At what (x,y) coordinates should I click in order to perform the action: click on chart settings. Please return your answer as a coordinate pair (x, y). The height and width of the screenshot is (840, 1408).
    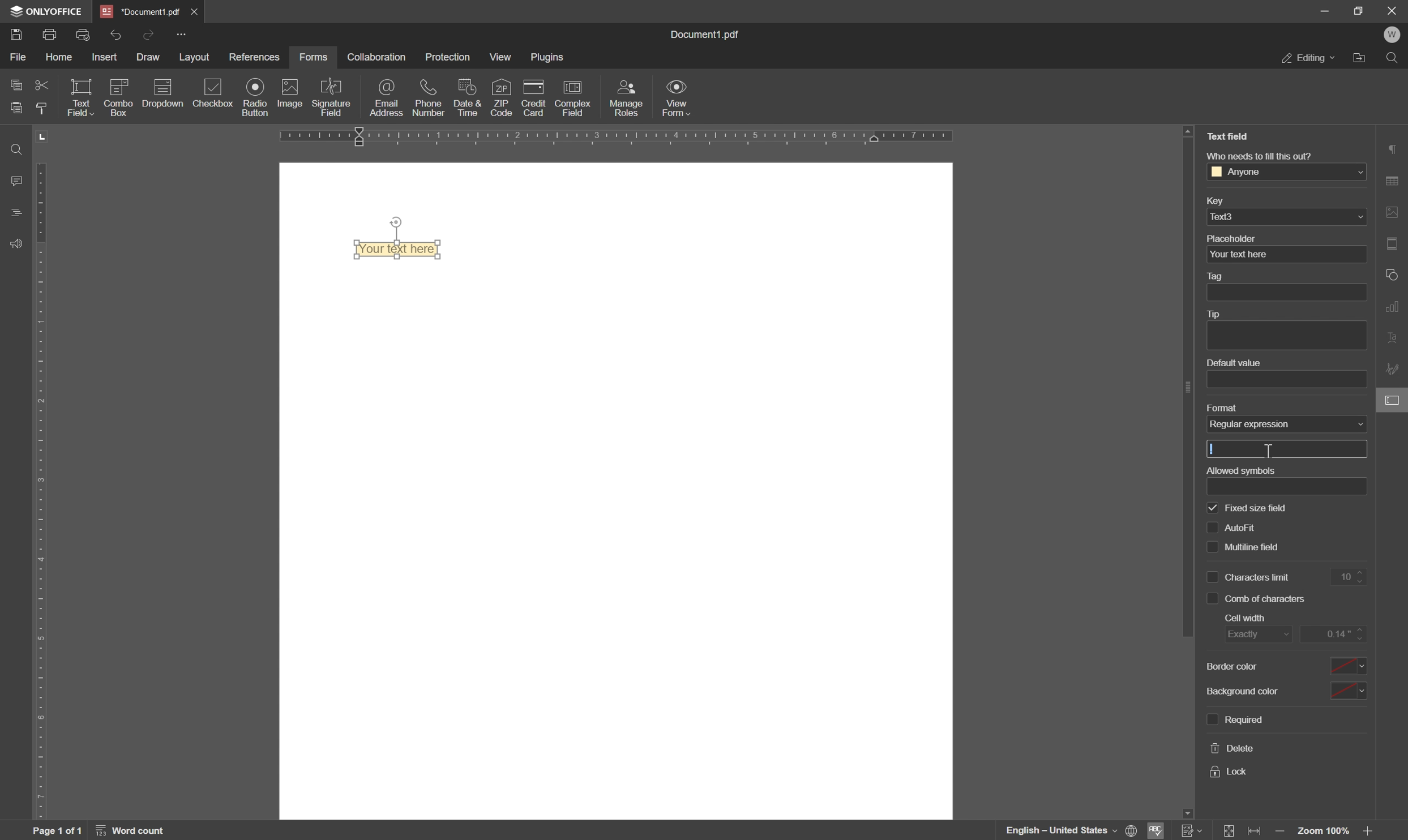
    Looking at the image, I should click on (1395, 308).